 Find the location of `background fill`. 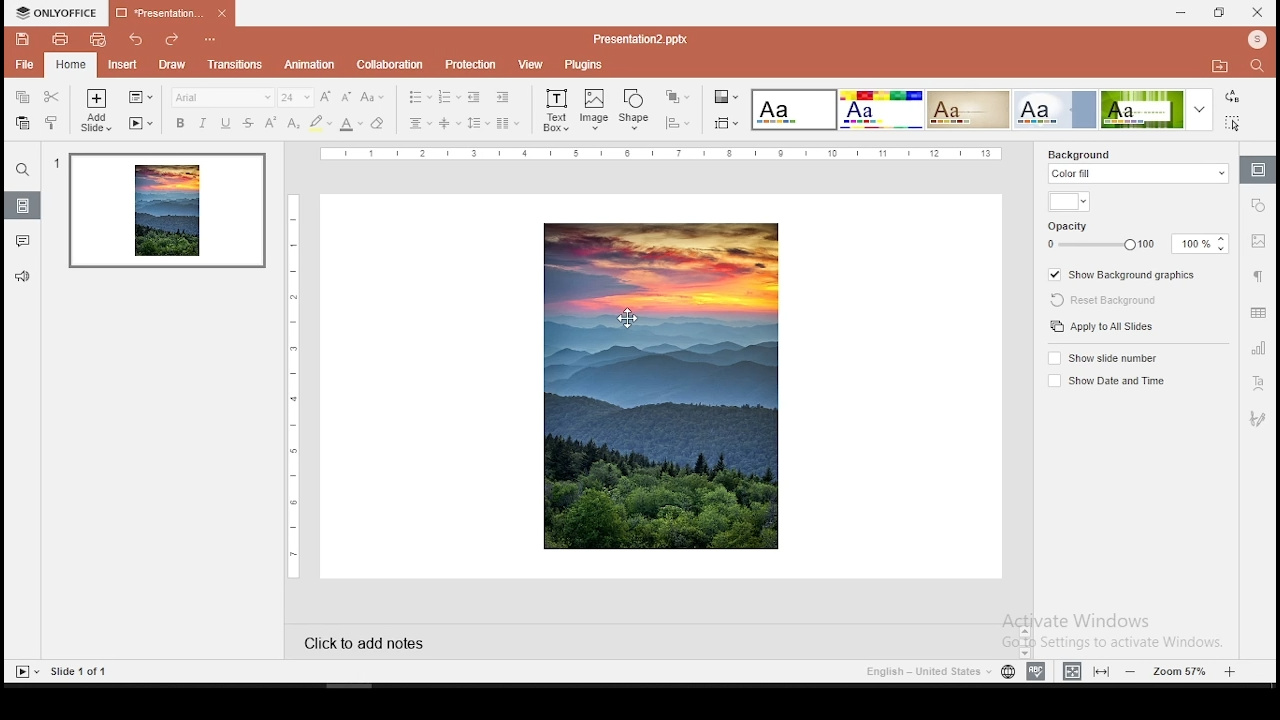

background fill is located at coordinates (1137, 166).